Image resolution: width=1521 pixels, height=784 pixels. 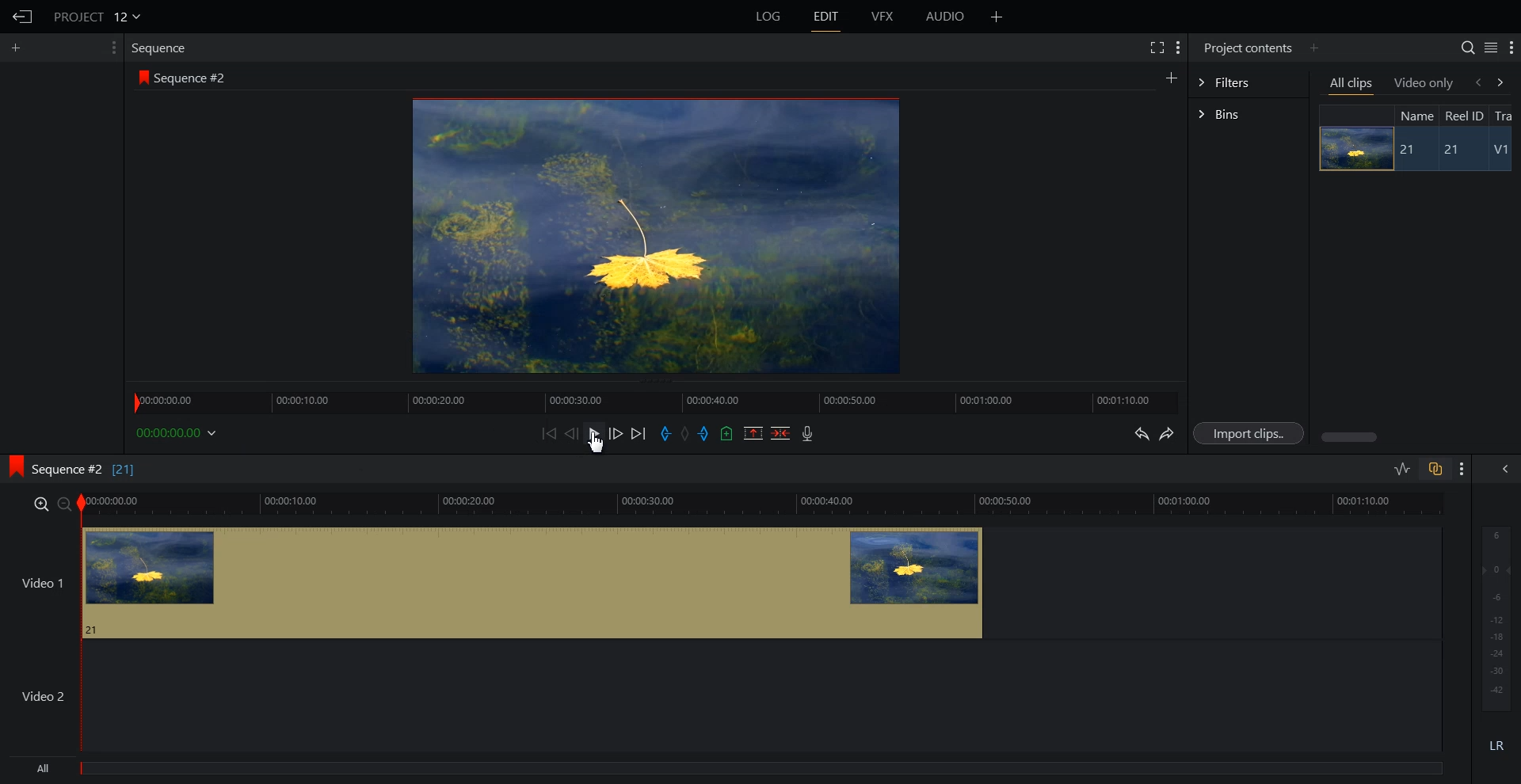 I want to click on Project contents, so click(x=1246, y=46).